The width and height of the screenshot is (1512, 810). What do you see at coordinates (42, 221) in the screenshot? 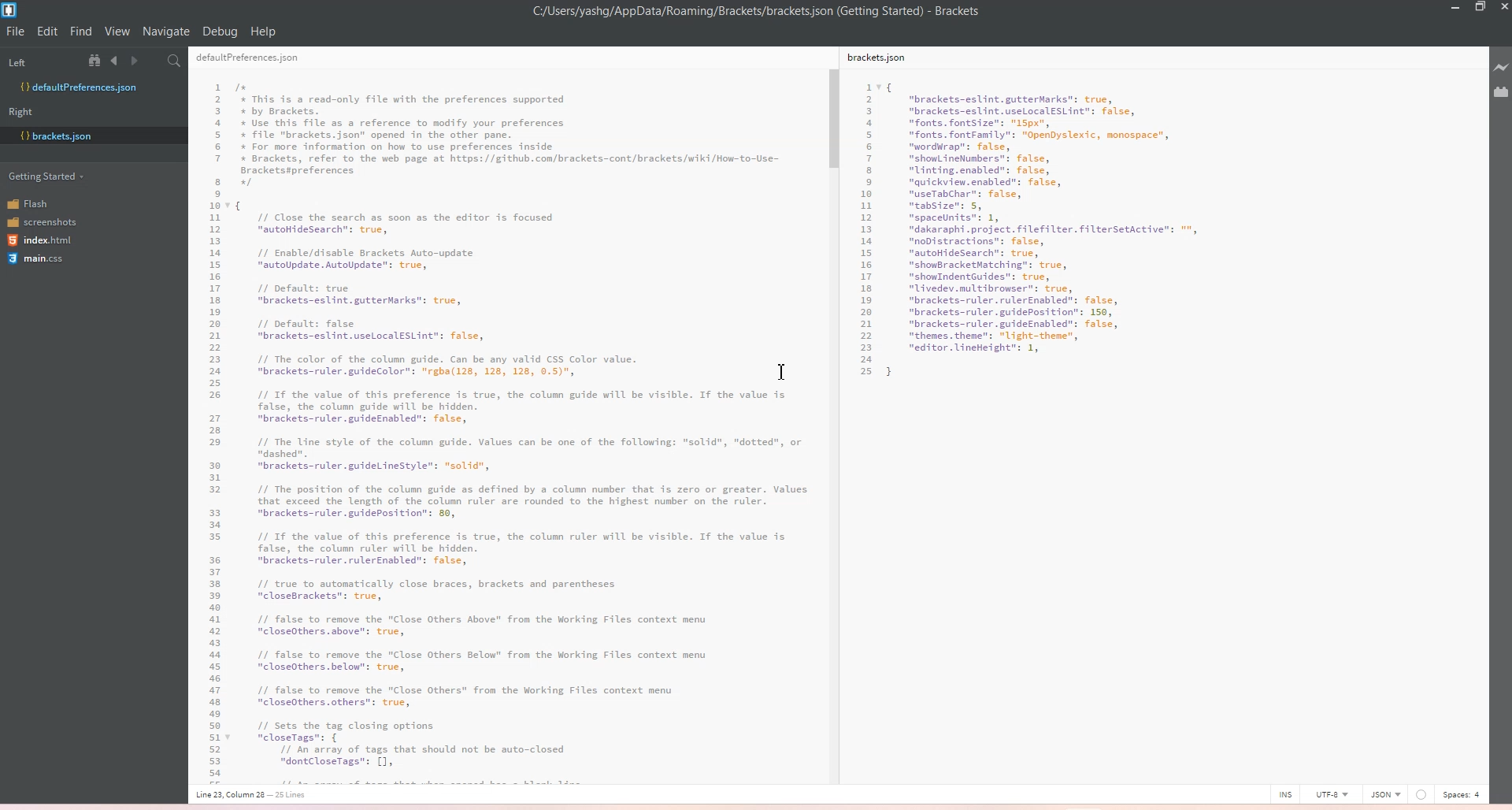
I see `Screenshots` at bounding box center [42, 221].